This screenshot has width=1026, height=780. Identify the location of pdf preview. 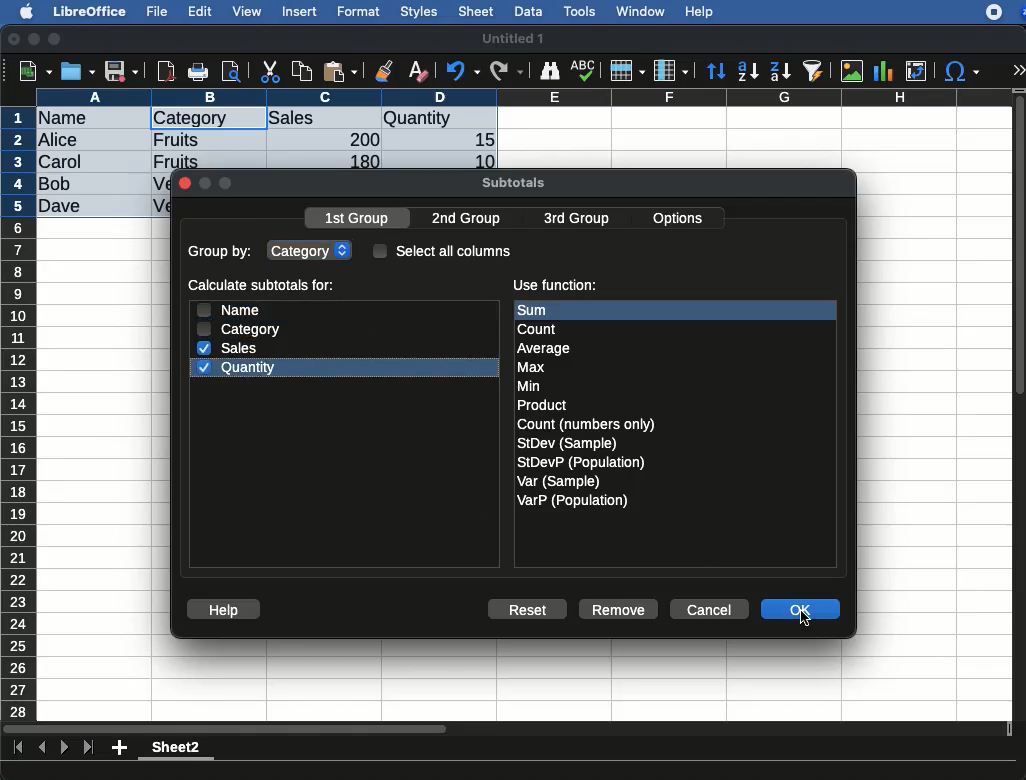
(167, 71).